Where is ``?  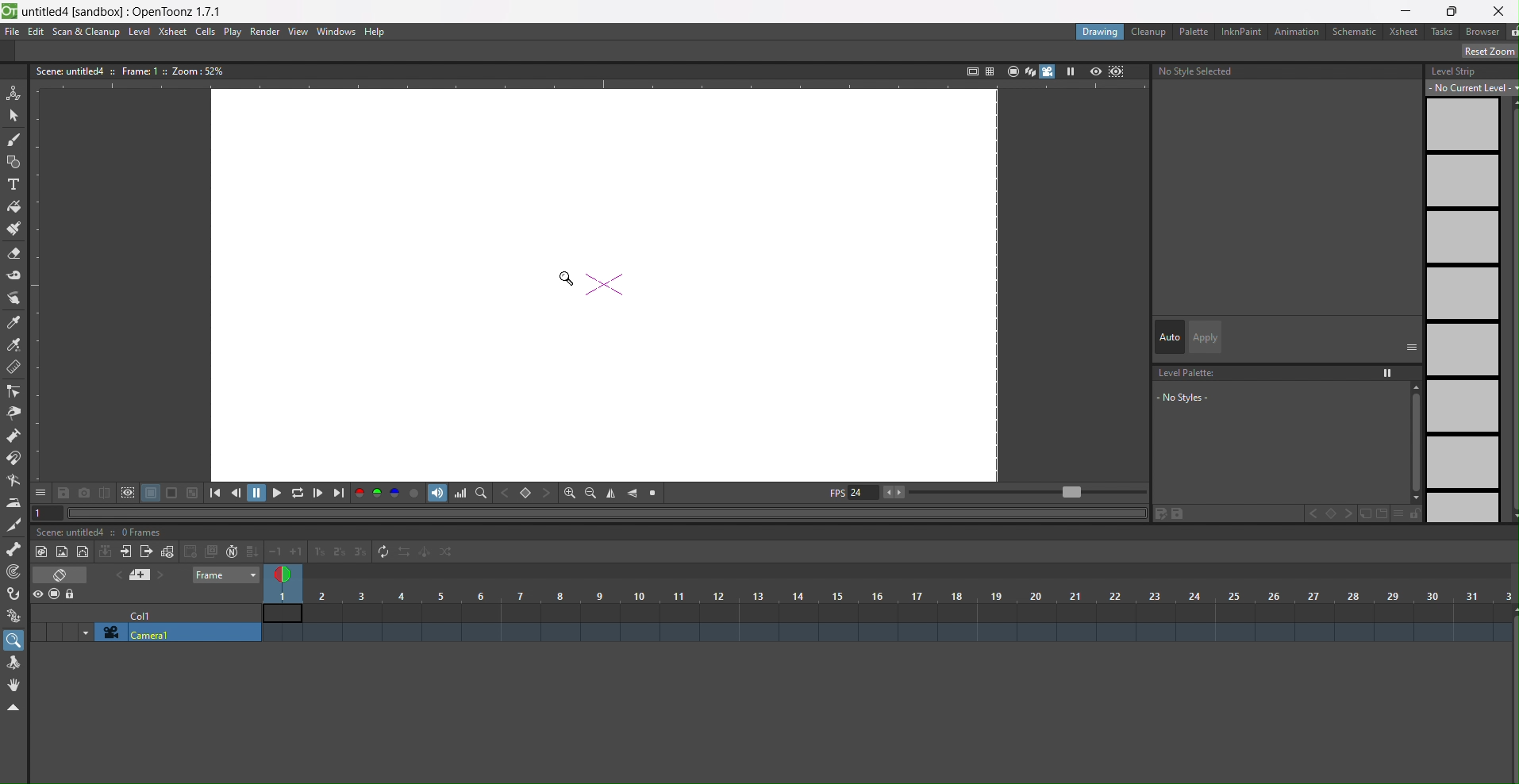
 is located at coordinates (483, 492).